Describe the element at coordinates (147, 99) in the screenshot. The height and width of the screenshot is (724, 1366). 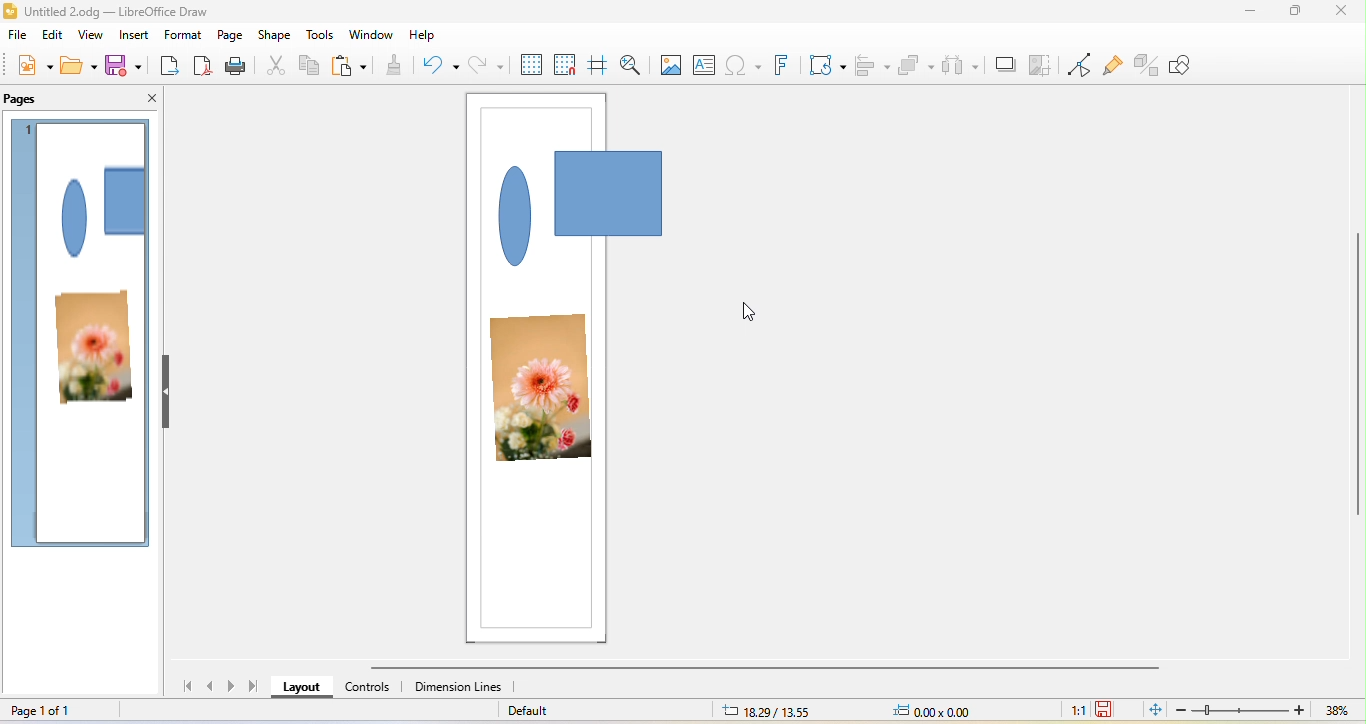
I see `close` at that location.